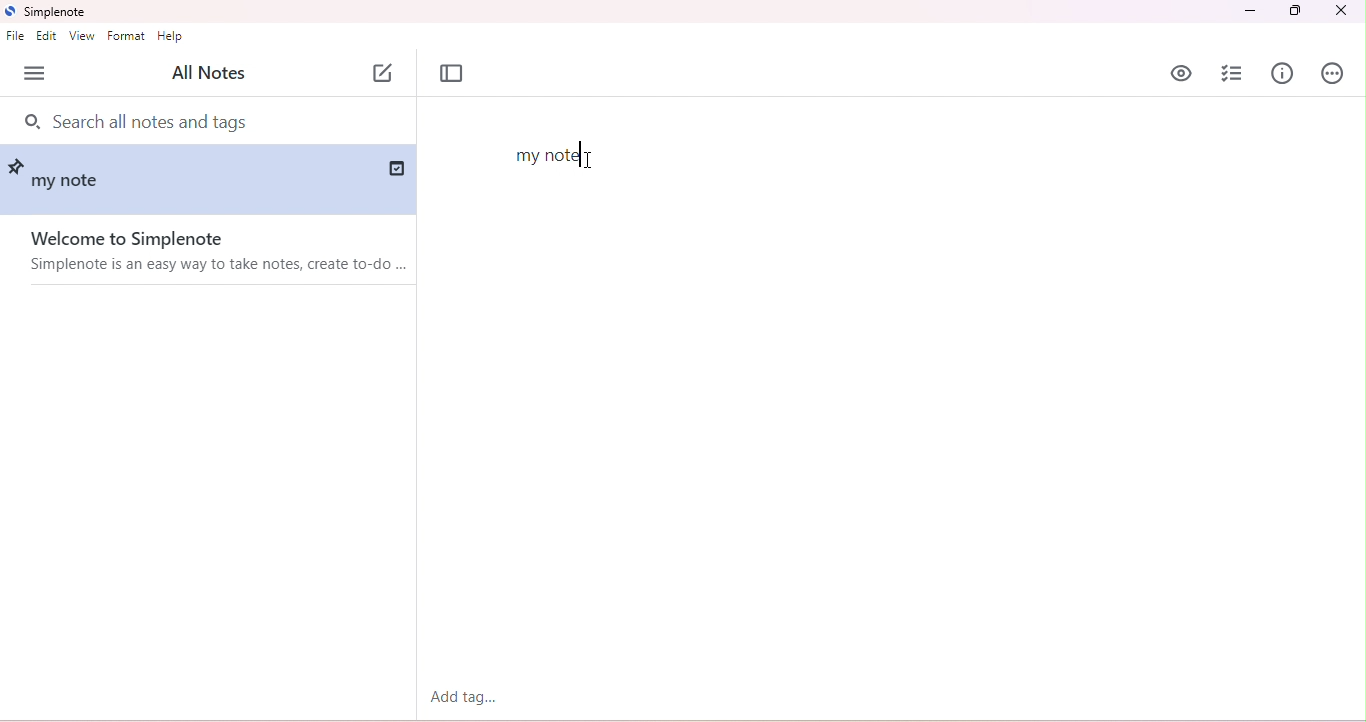  Describe the element at coordinates (71, 184) in the screenshot. I see `my note` at that location.